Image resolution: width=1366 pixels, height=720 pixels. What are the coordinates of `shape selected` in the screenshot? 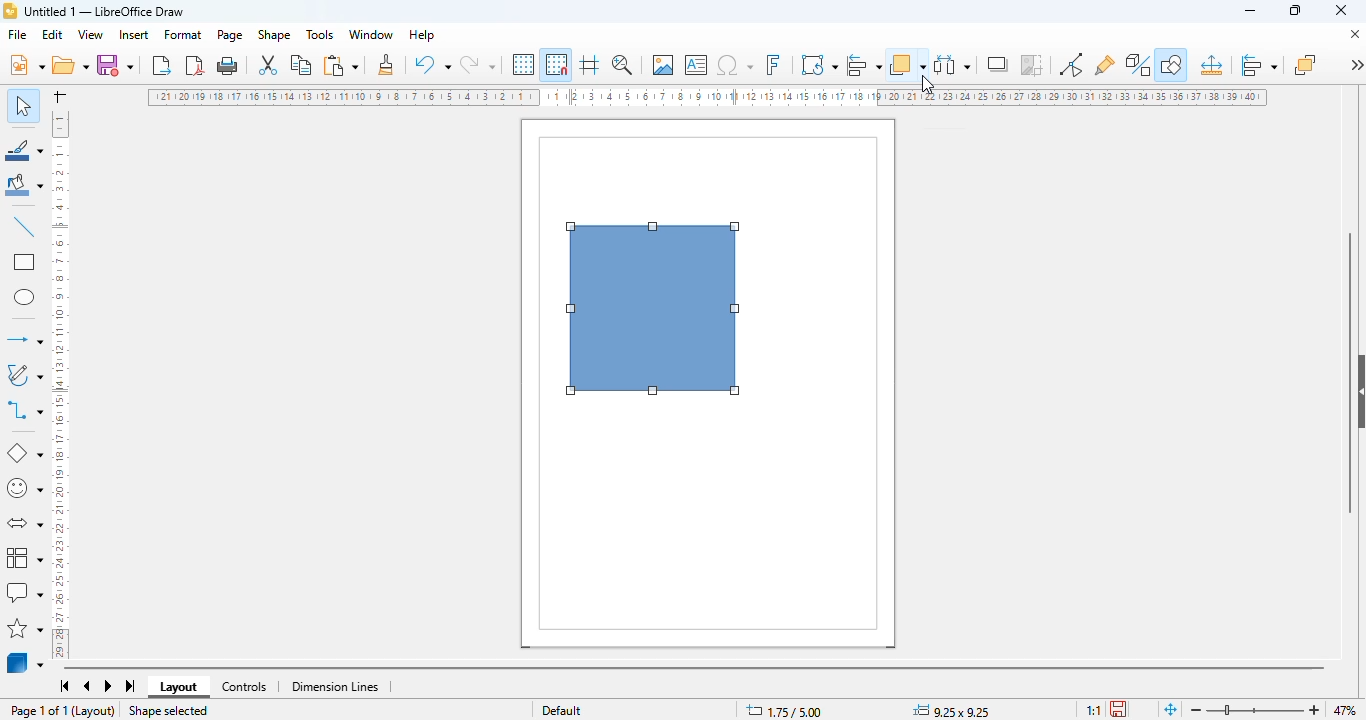 It's located at (167, 711).